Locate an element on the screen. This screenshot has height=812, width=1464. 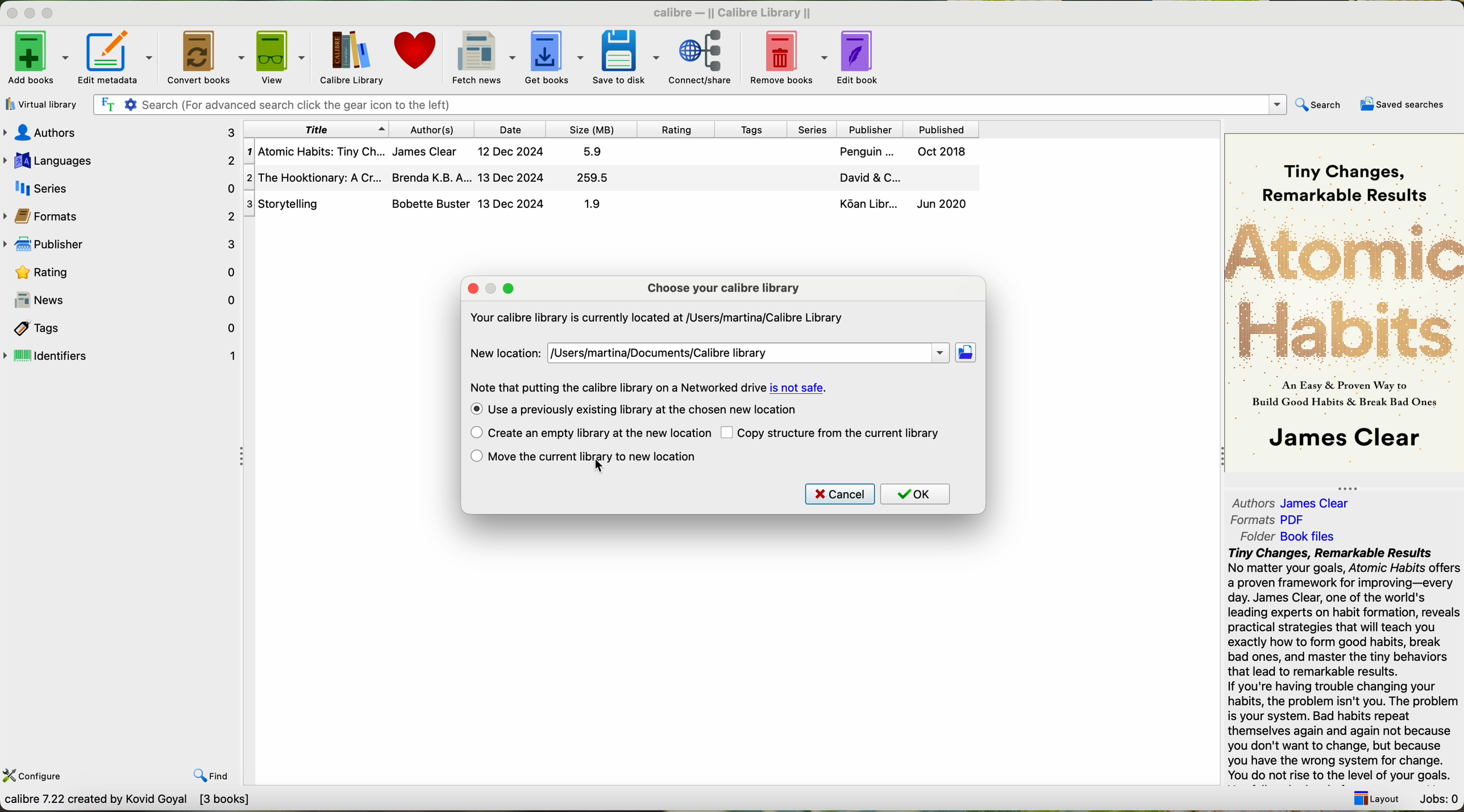
is not safe is located at coordinates (798, 388).